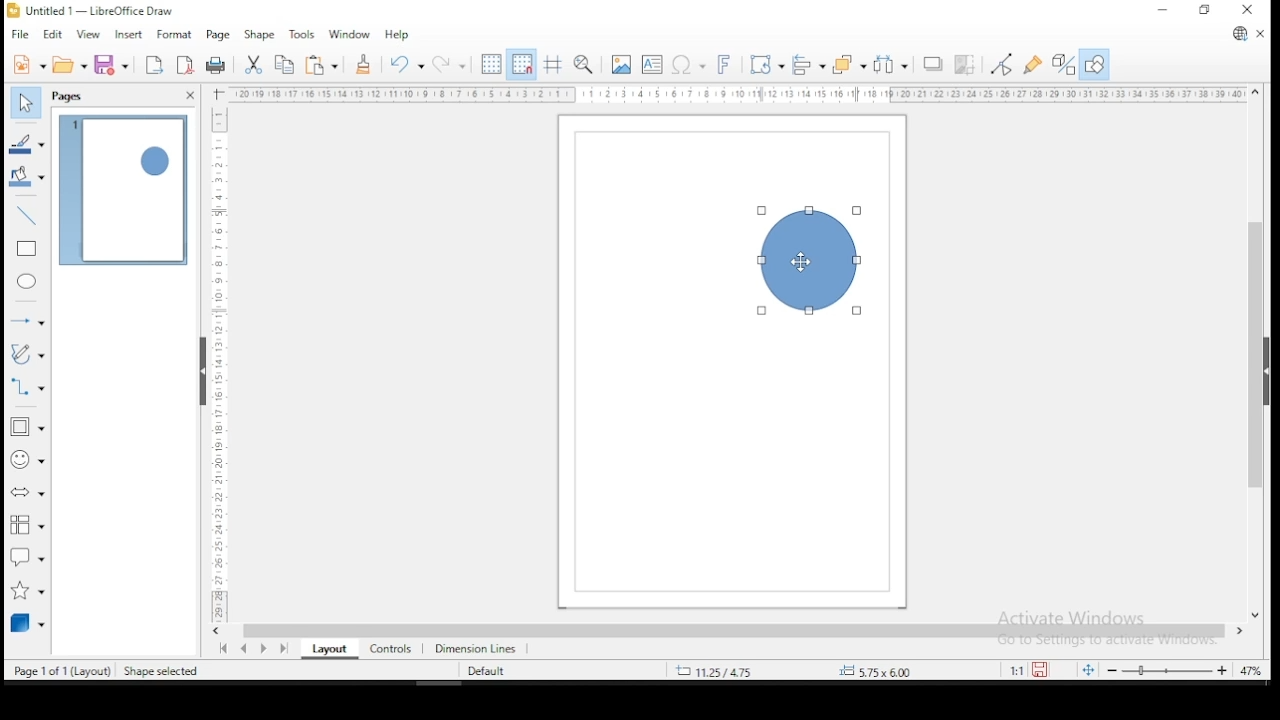  Describe the element at coordinates (70, 97) in the screenshot. I see `pages` at that location.